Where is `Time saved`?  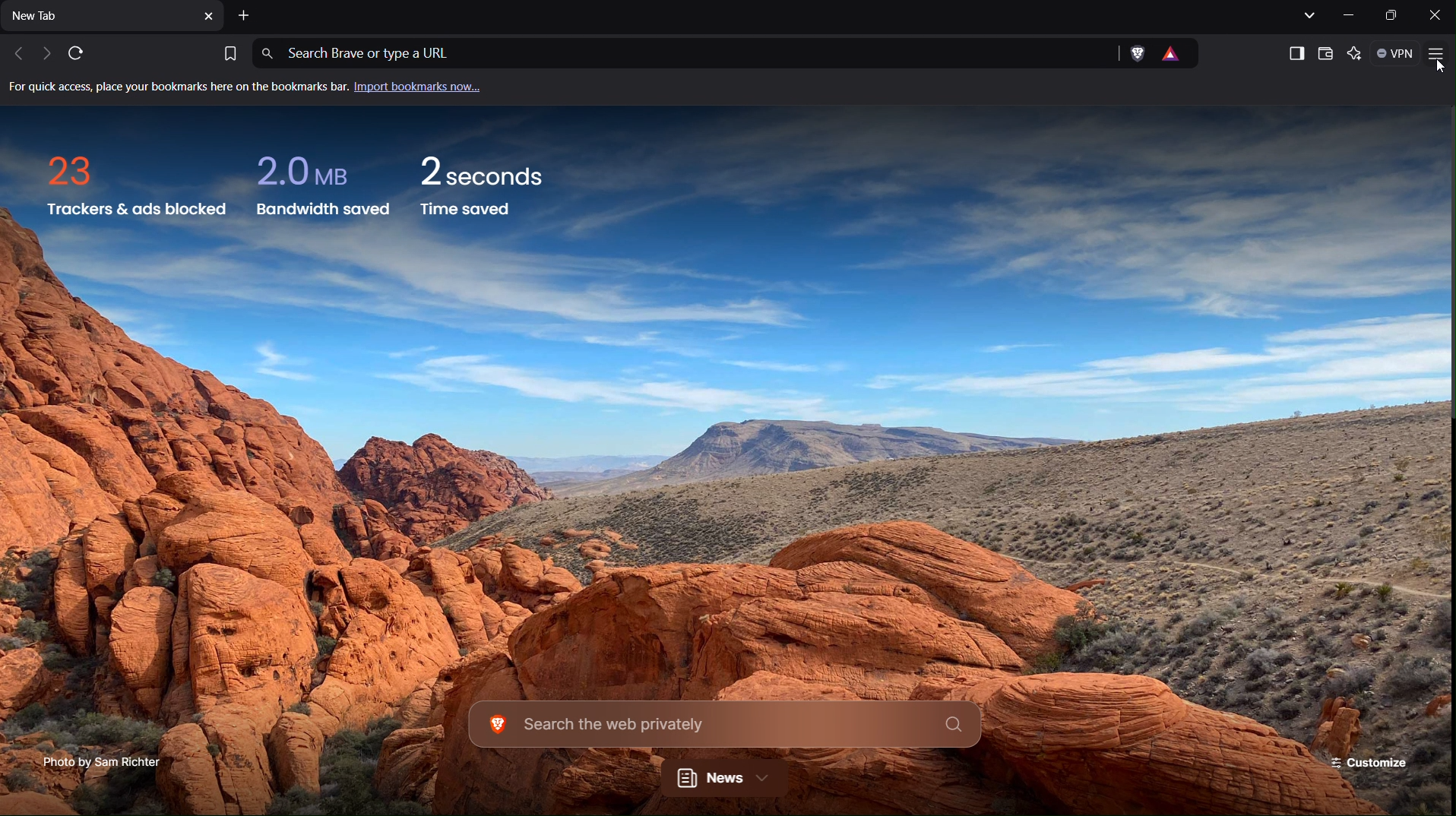
Time saved is located at coordinates (492, 185).